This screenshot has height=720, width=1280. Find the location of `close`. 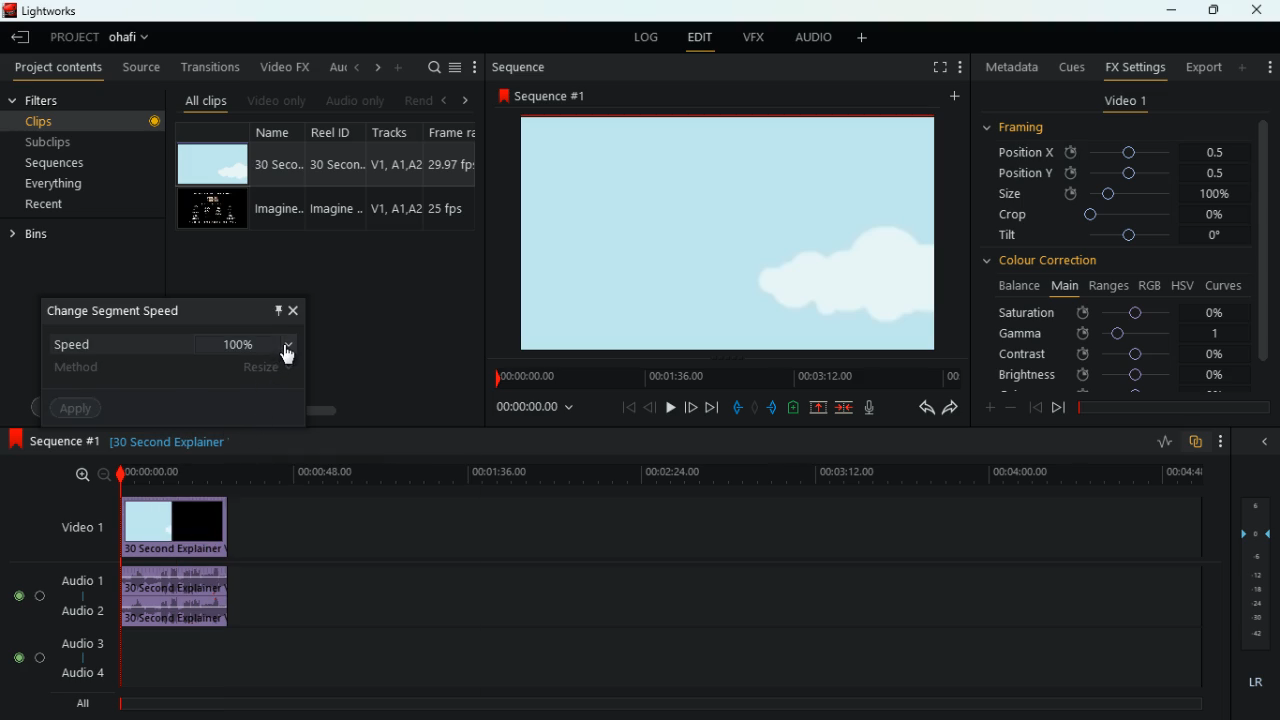

close is located at coordinates (294, 309).